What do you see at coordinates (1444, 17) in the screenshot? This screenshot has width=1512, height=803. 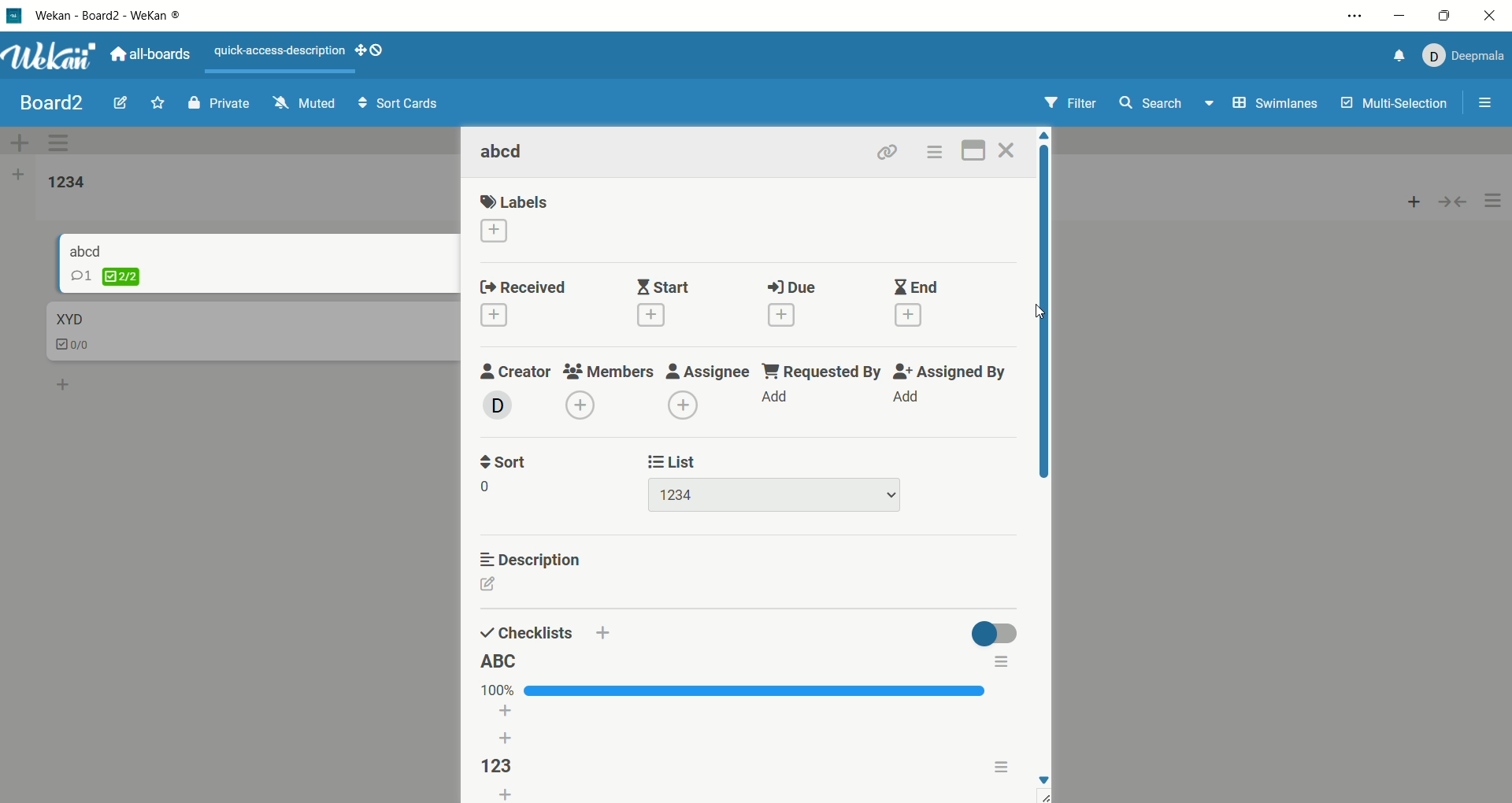 I see `maximize` at bounding box center [1444, 17].